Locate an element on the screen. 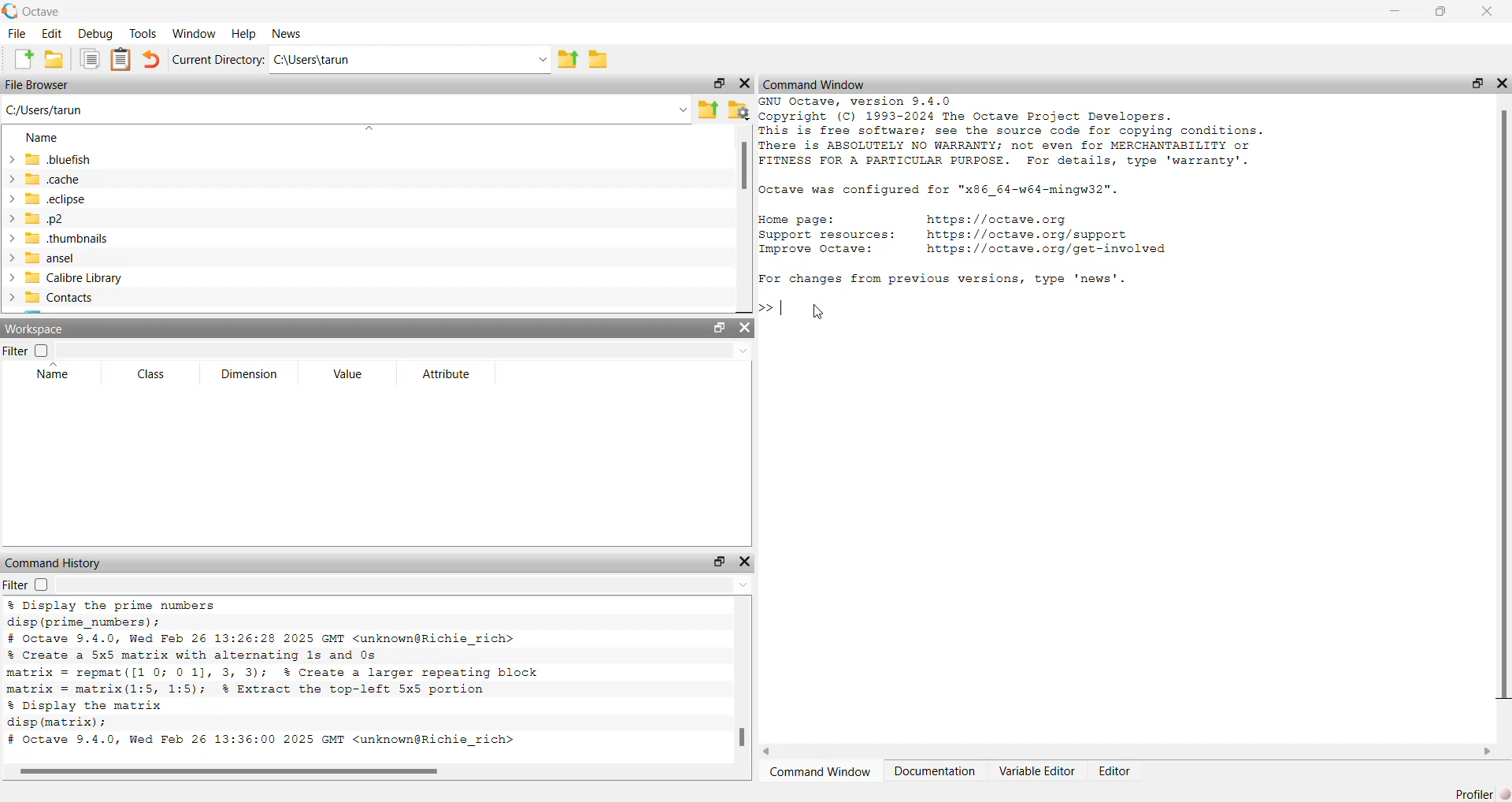 This screenshot has height=802, width=1512. maximize is located at coordinates (1443, 12).